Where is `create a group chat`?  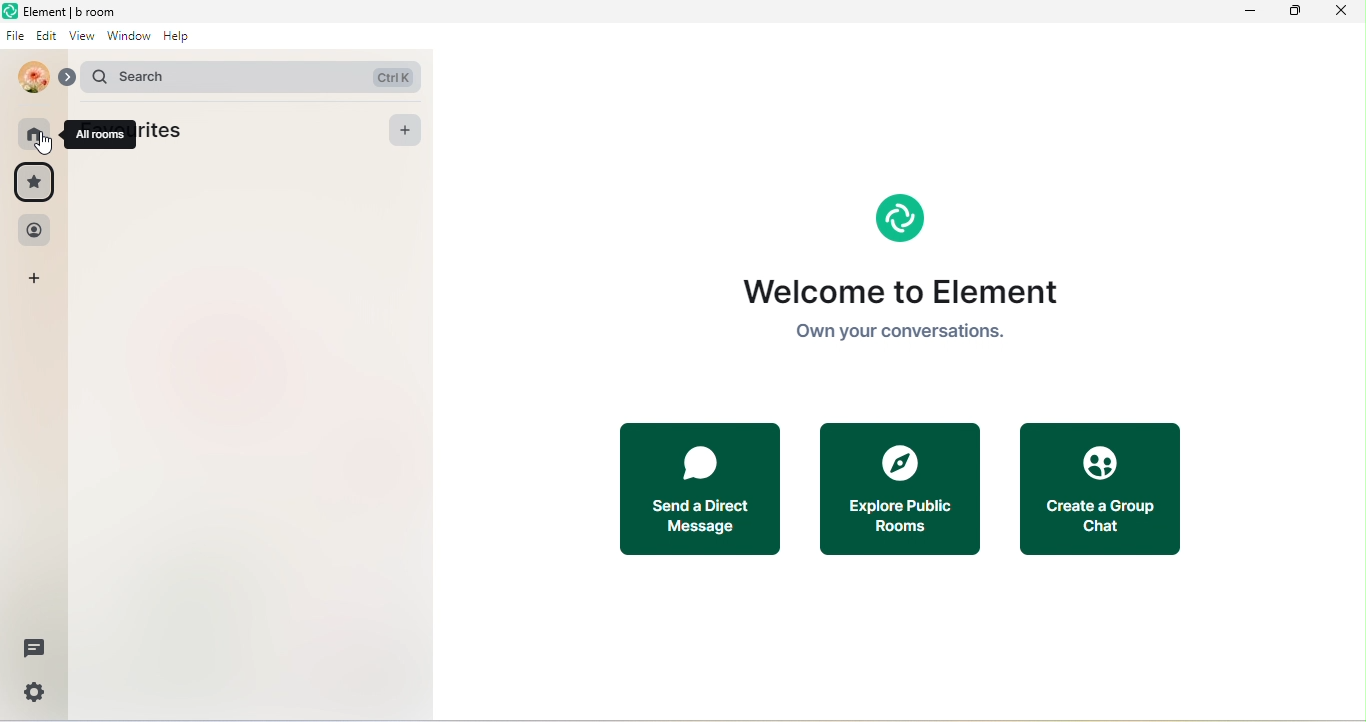 create a group chat is located at coordinates (1098, 487).